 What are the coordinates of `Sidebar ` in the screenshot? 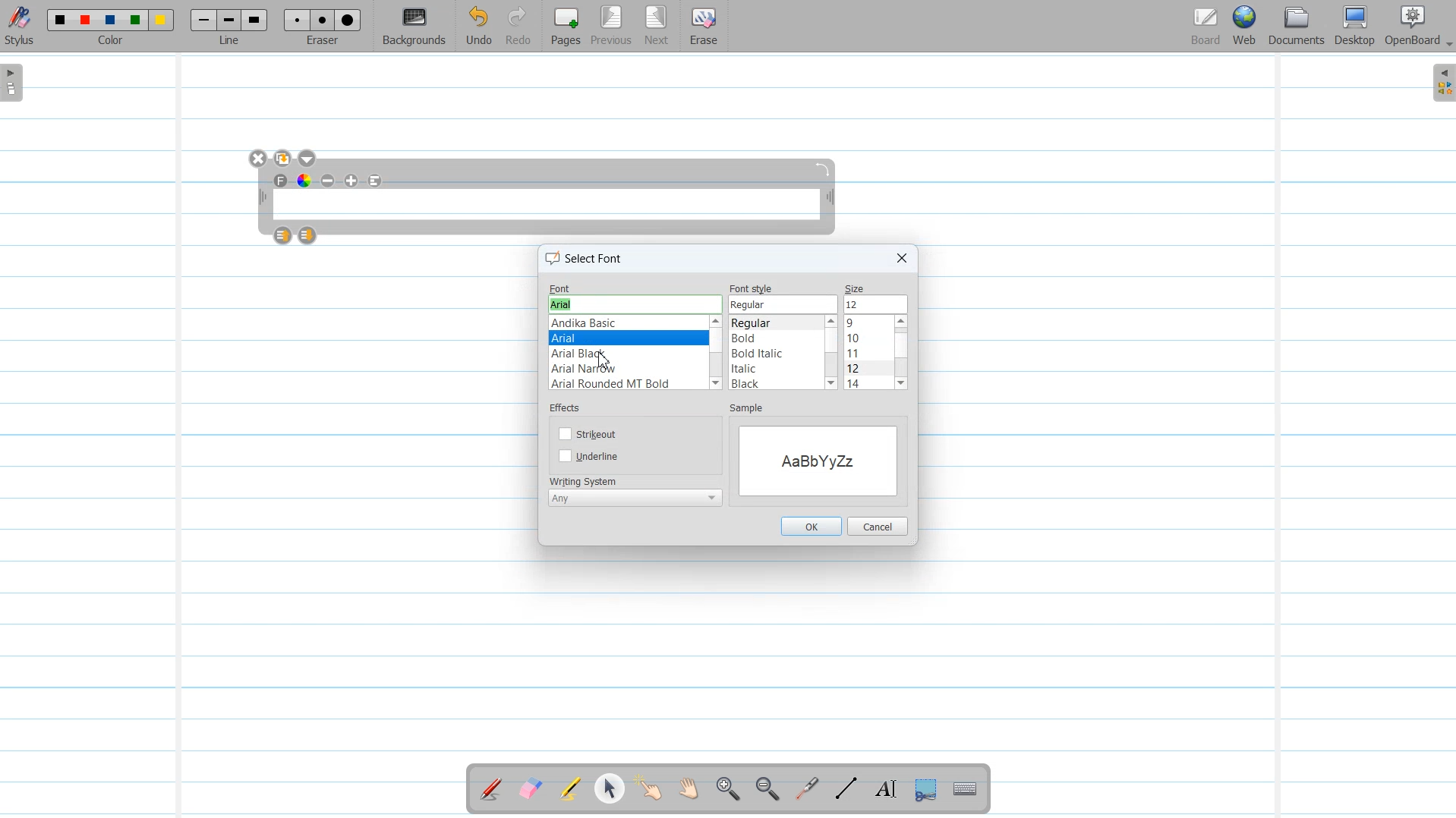 It's located at (1441, 83).